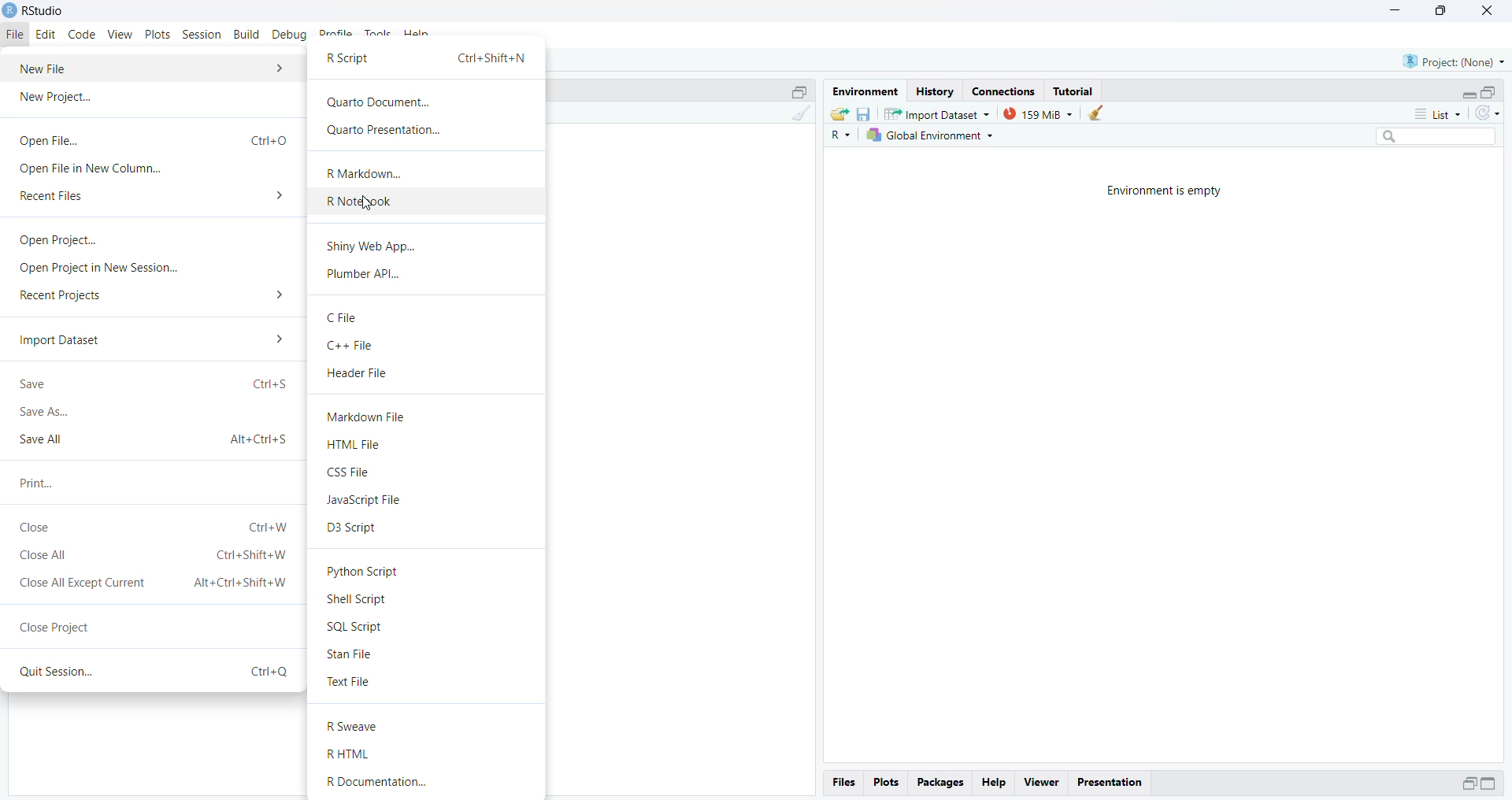 Image resolution: width=1512 pixels, height=800 pixels. What do you see at coordinates (153, 557) in the screenshot?
I see `Close All Ctrl+Shift+W` at bounding box center [153, 557].